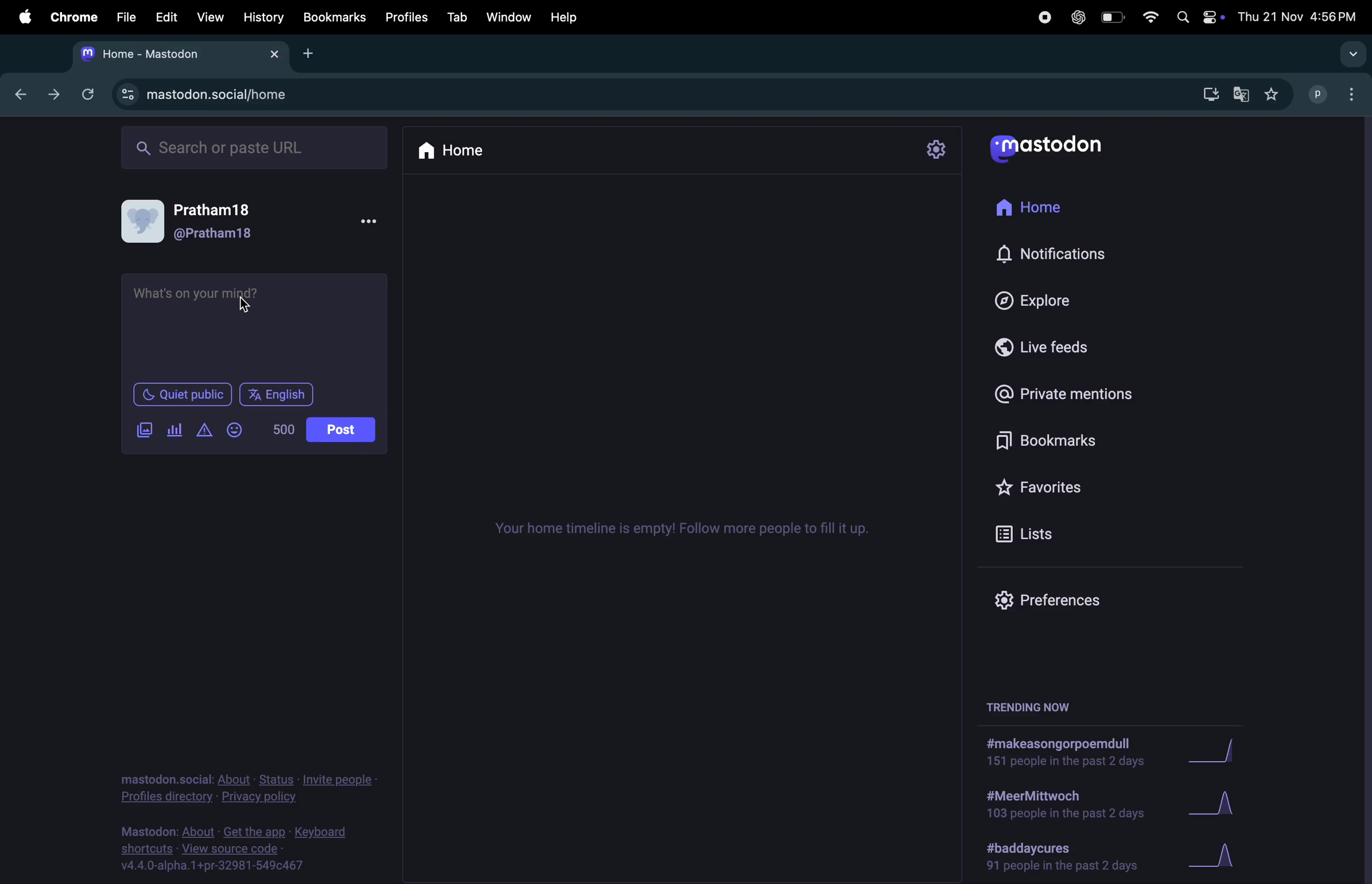 The height and width of the screenshot is (884, 1372). I want to click on notifications, so click(1061, 253).